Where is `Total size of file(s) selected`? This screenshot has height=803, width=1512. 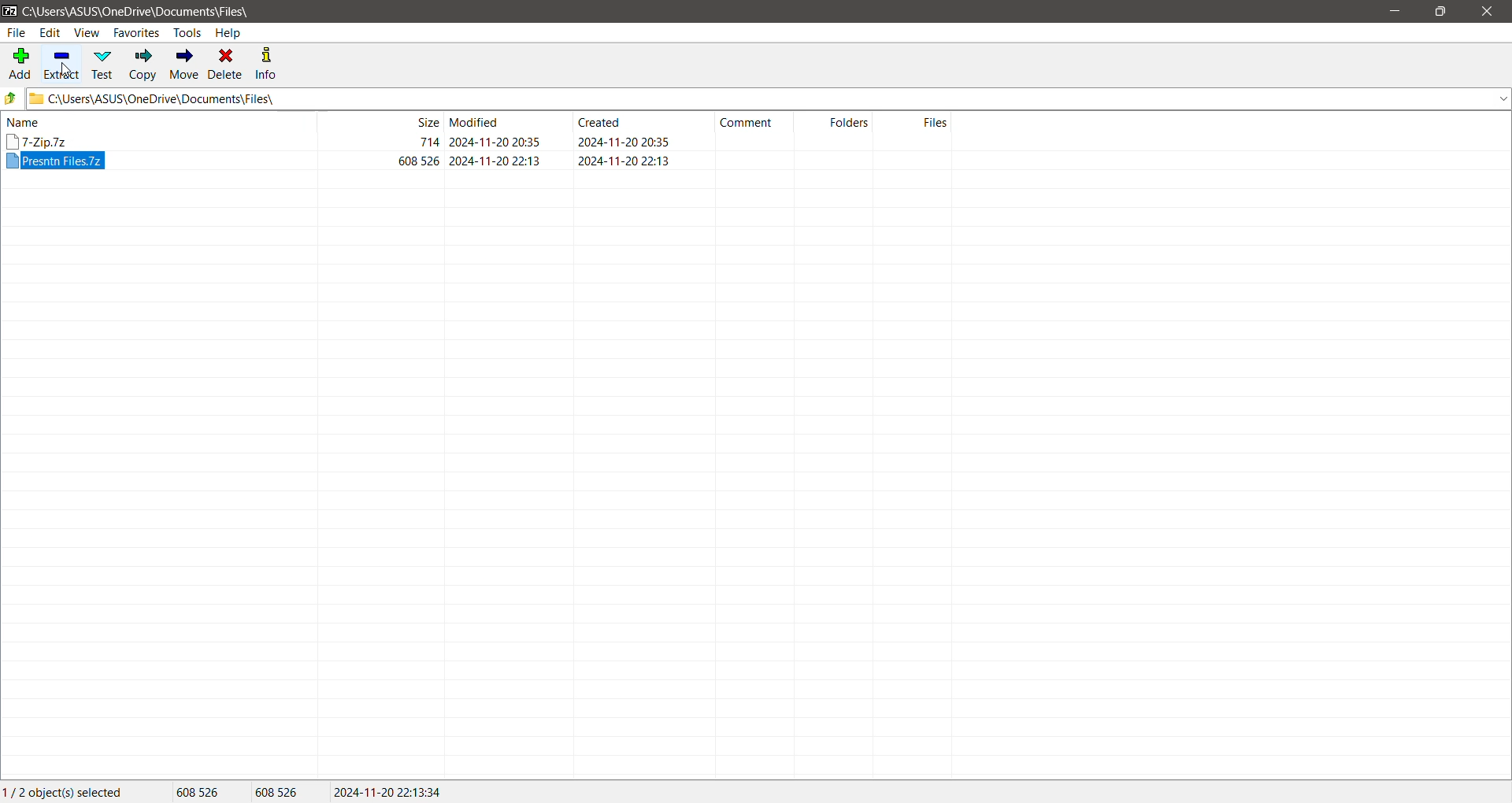
Total size of file(s) selected is located at coordinates (199, 792).